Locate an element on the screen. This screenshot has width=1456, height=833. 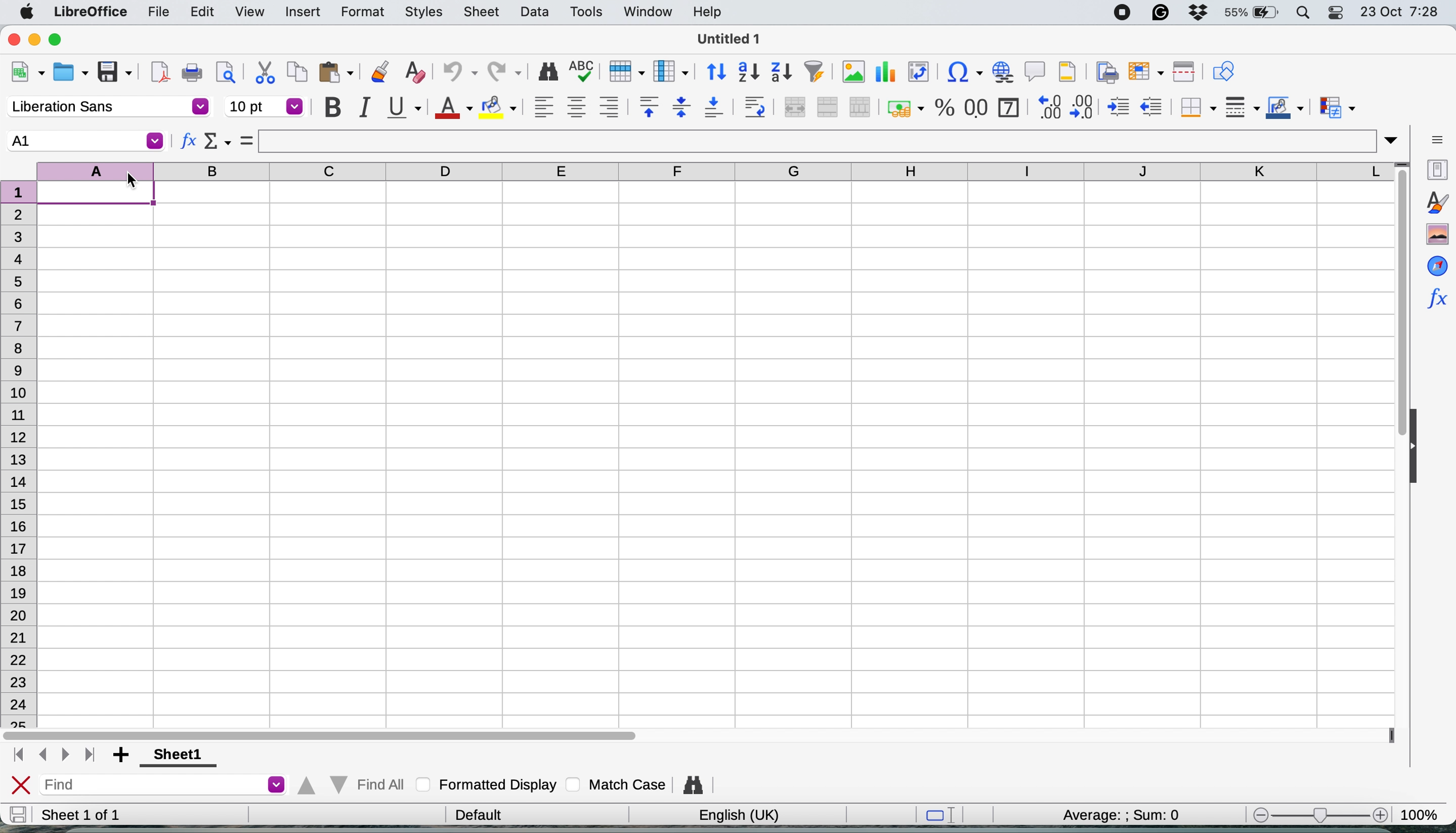
wrap text is located at coordinates (758, 107).